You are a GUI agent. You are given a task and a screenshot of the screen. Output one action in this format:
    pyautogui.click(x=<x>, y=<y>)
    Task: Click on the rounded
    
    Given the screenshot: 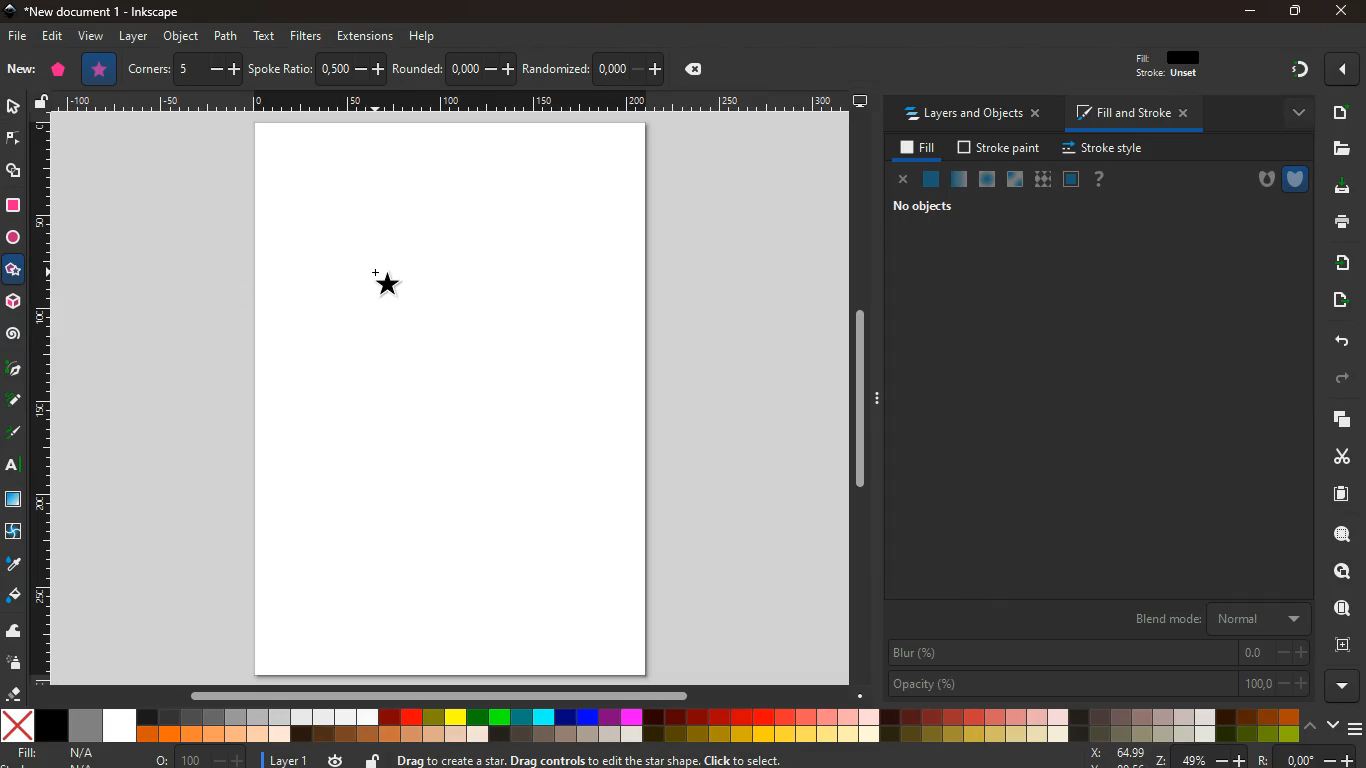 What is the action you would take?
    pyautogui.click(x=454, y=67)
    